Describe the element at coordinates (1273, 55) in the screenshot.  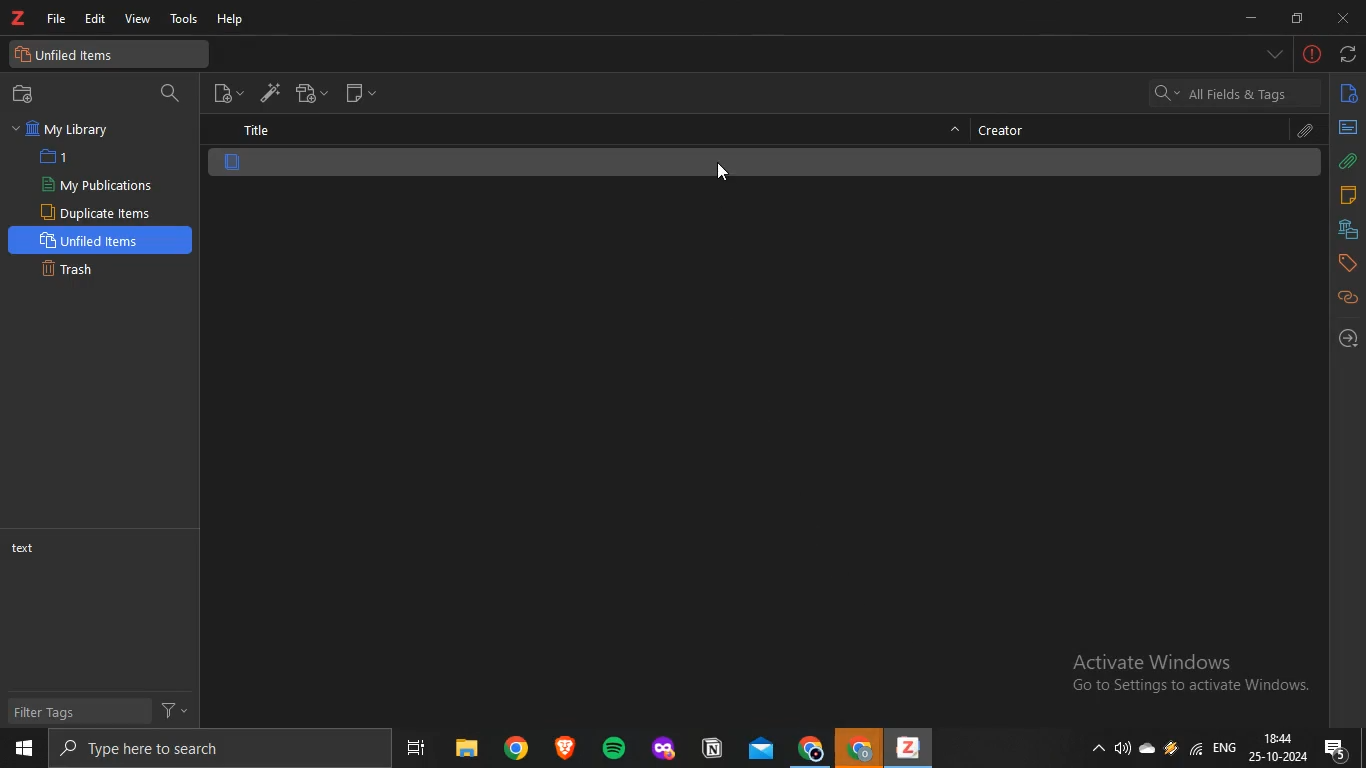
I see `list all tabs` at that location.